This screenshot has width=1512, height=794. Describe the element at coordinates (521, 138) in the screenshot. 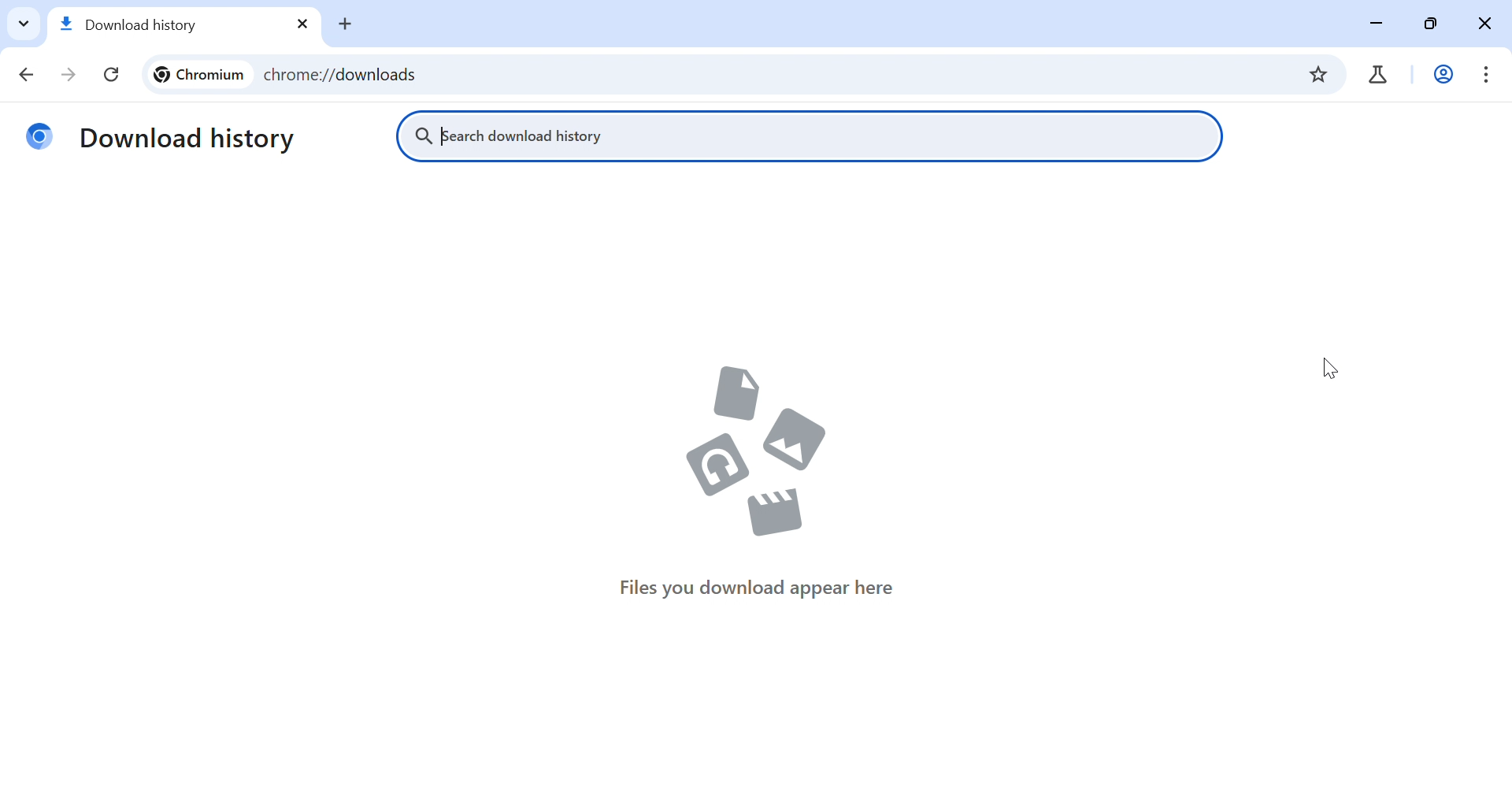

I see `Search download history` at that location.